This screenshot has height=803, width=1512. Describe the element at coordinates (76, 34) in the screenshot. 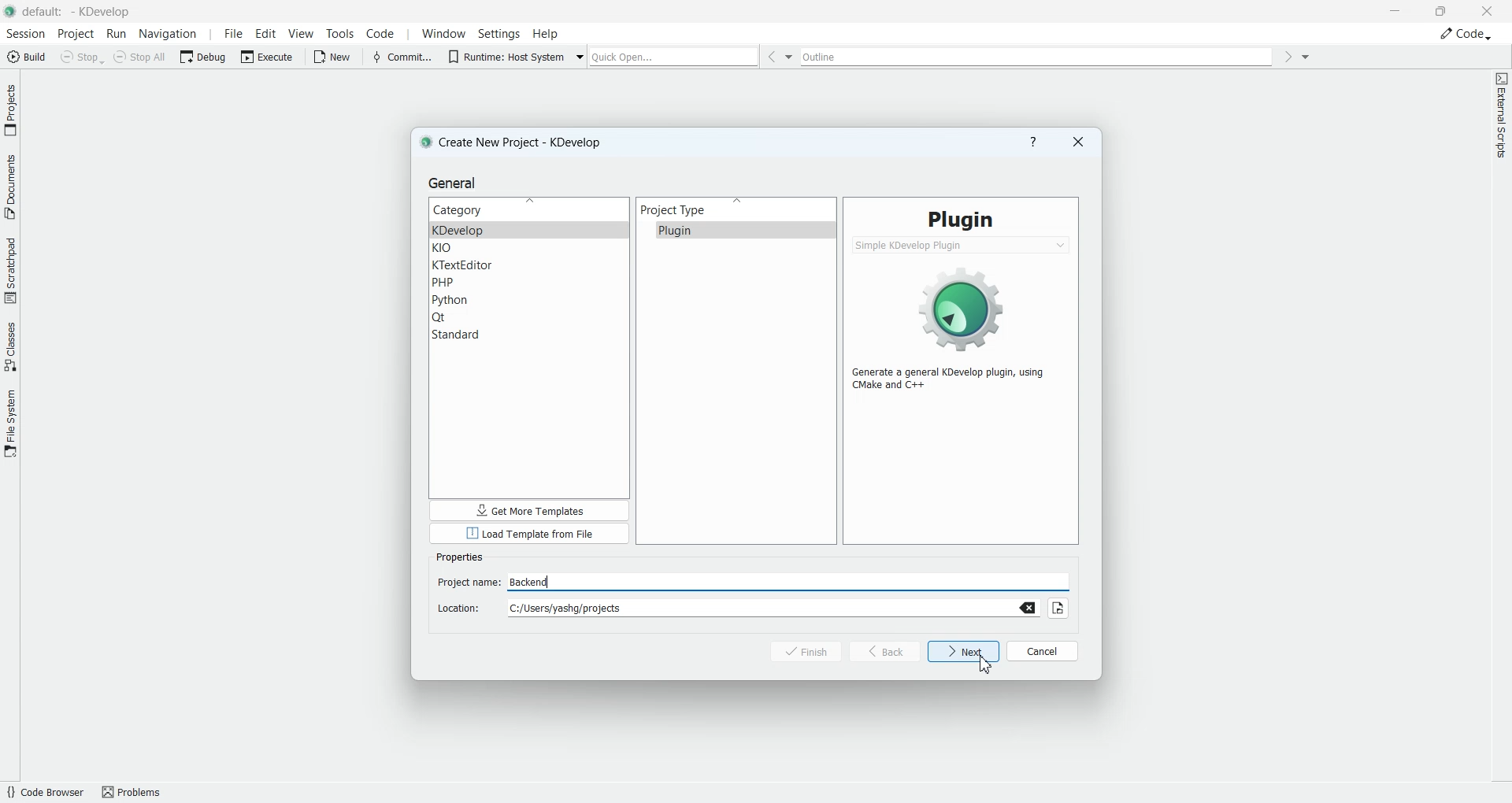

I see `Project` at that location.